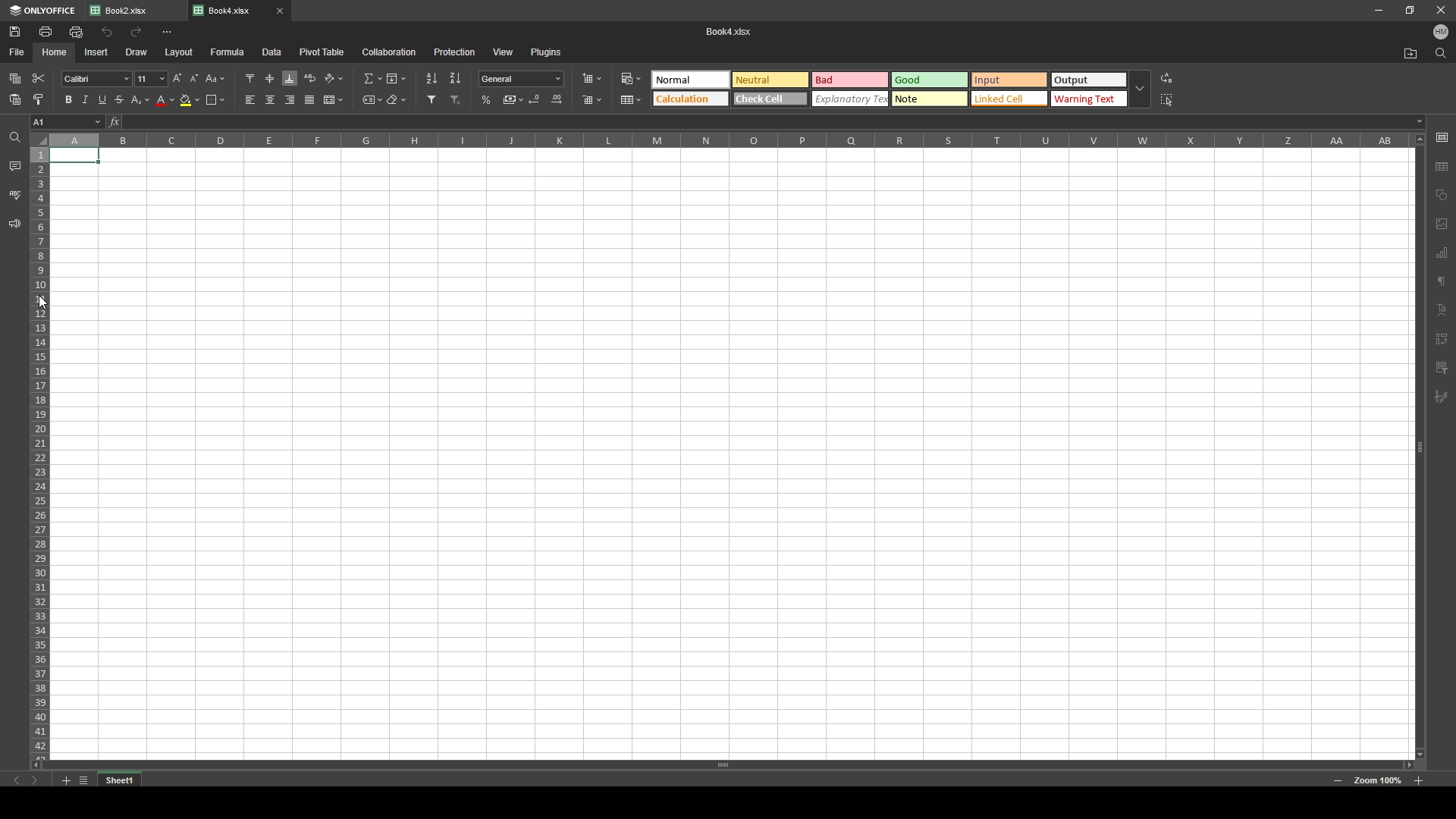 The image size is (1456, 819). I want to click on paste, so click(15, 99).